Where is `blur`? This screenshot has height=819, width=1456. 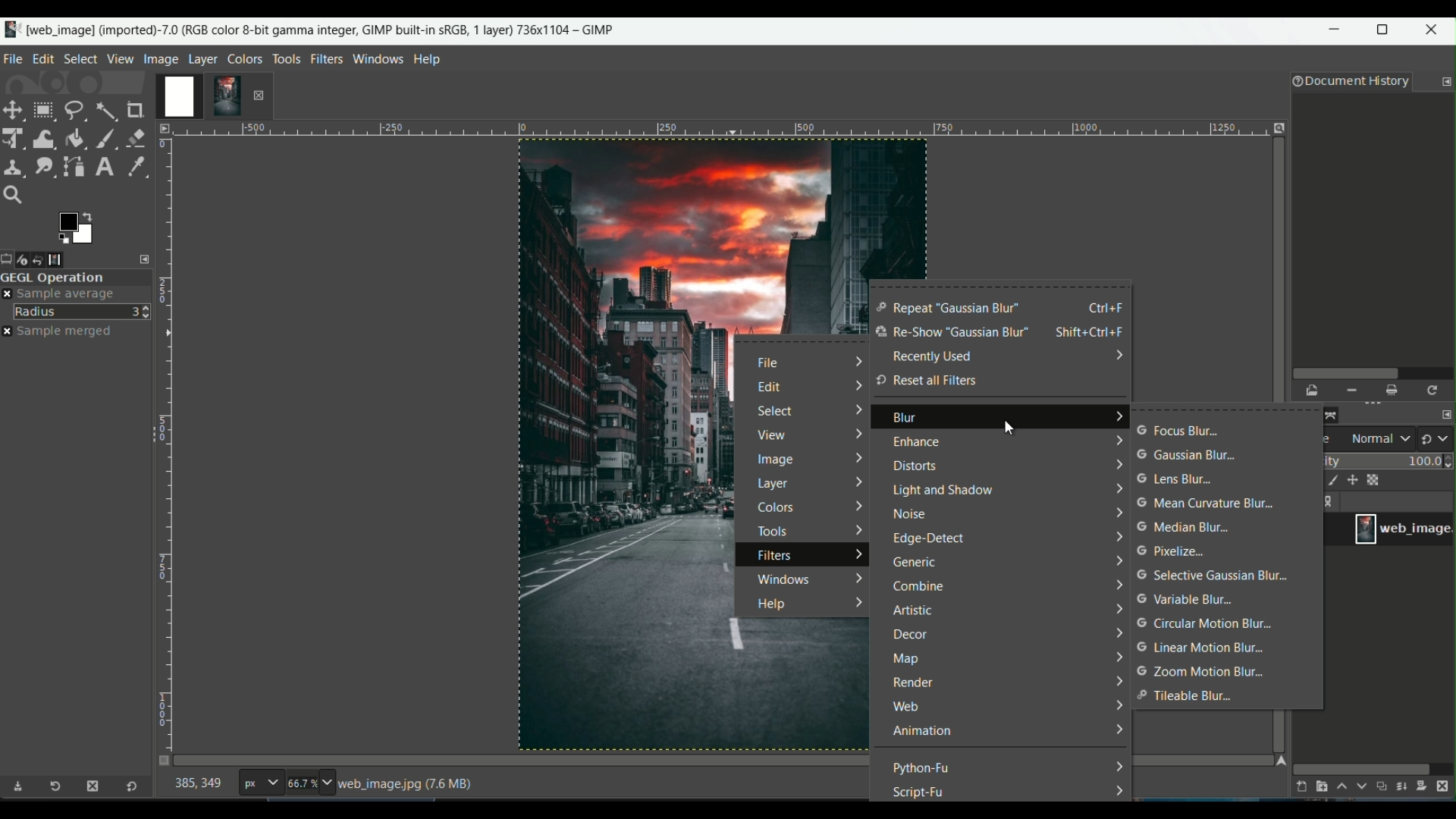 blur is located at coordinates (905, 421).